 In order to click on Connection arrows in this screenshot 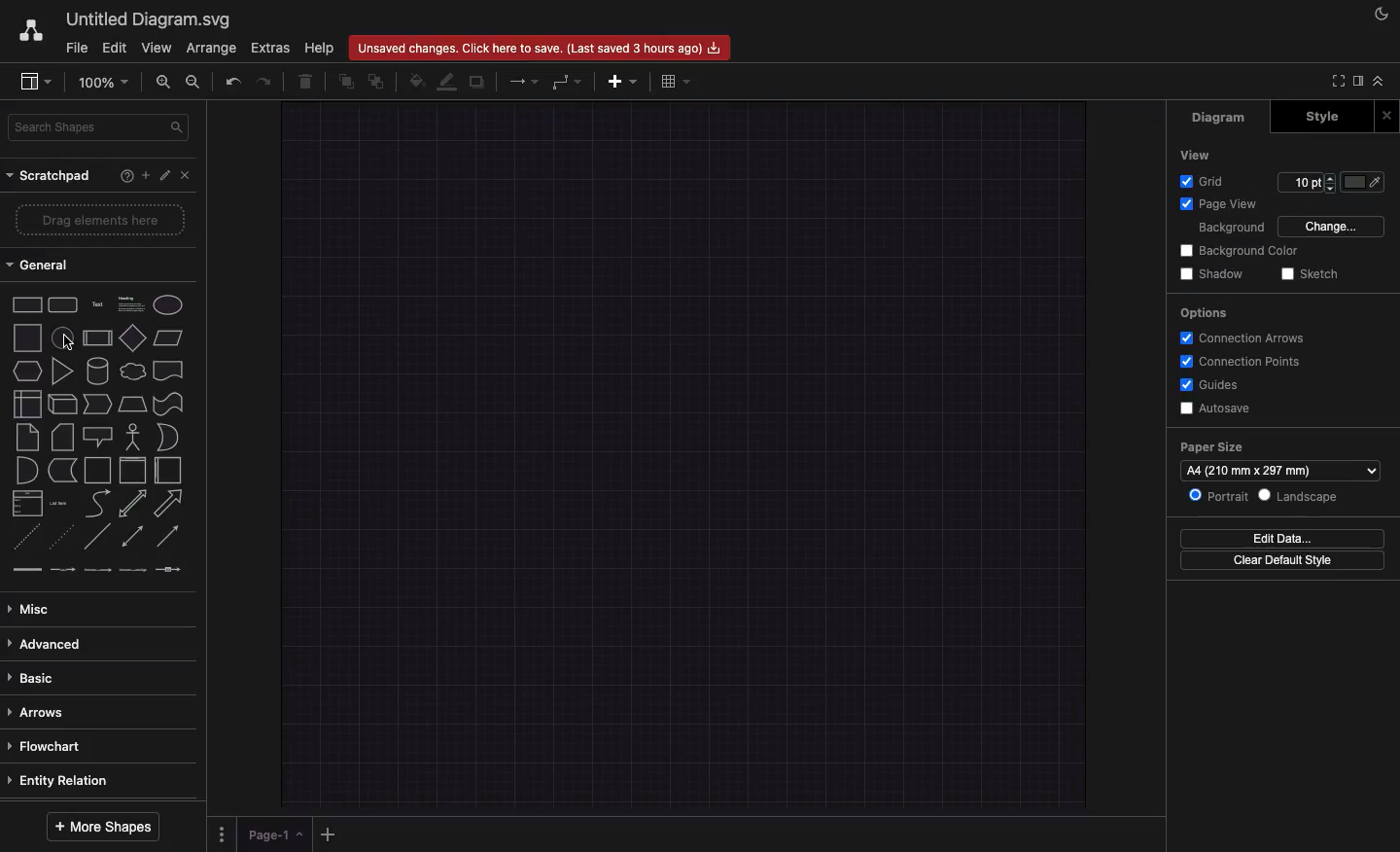, I will do `click(1243, 337)`.